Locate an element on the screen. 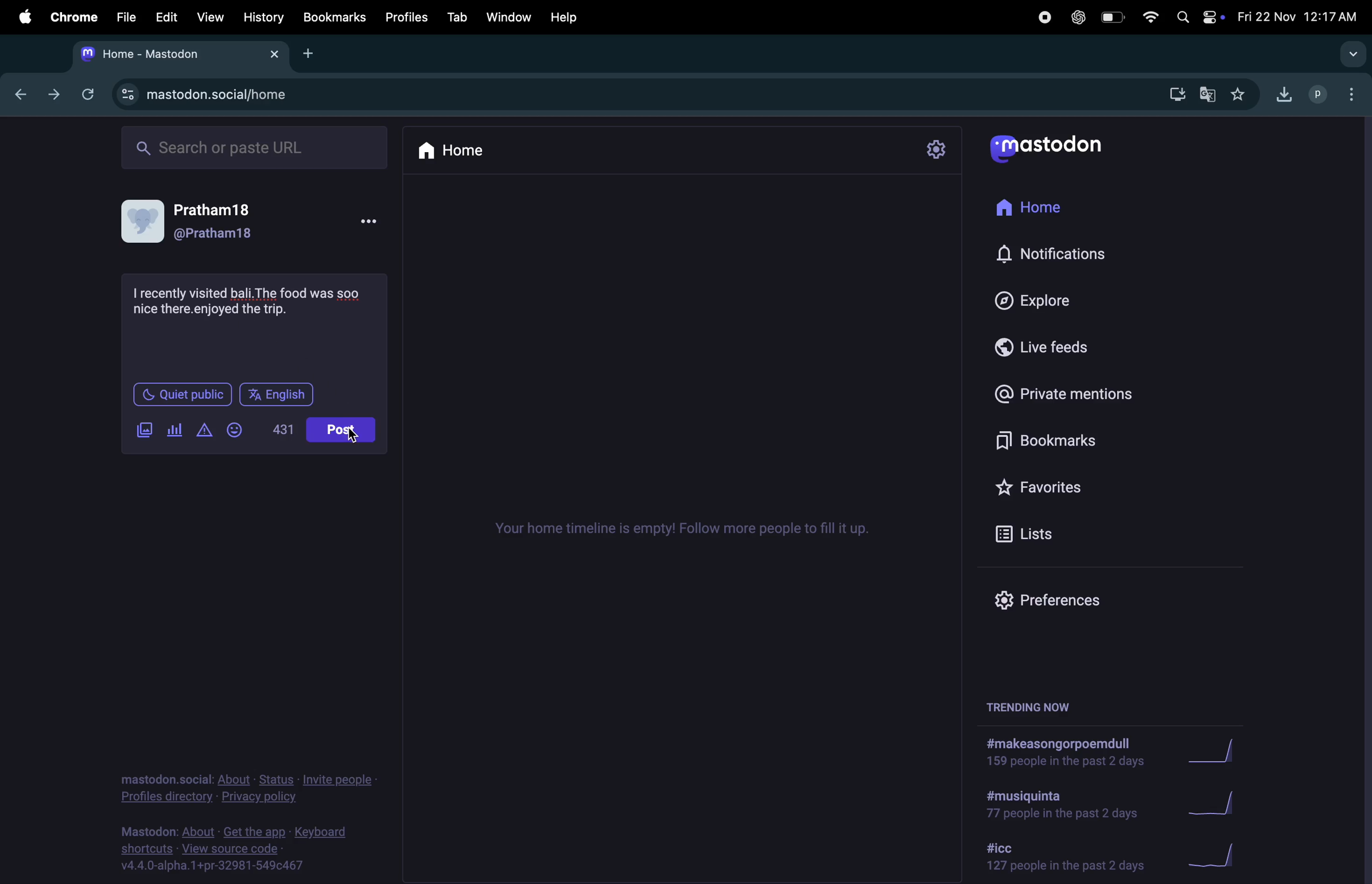 The image size is (1372, 884). private mentions is located at coordinates (1064, 394).